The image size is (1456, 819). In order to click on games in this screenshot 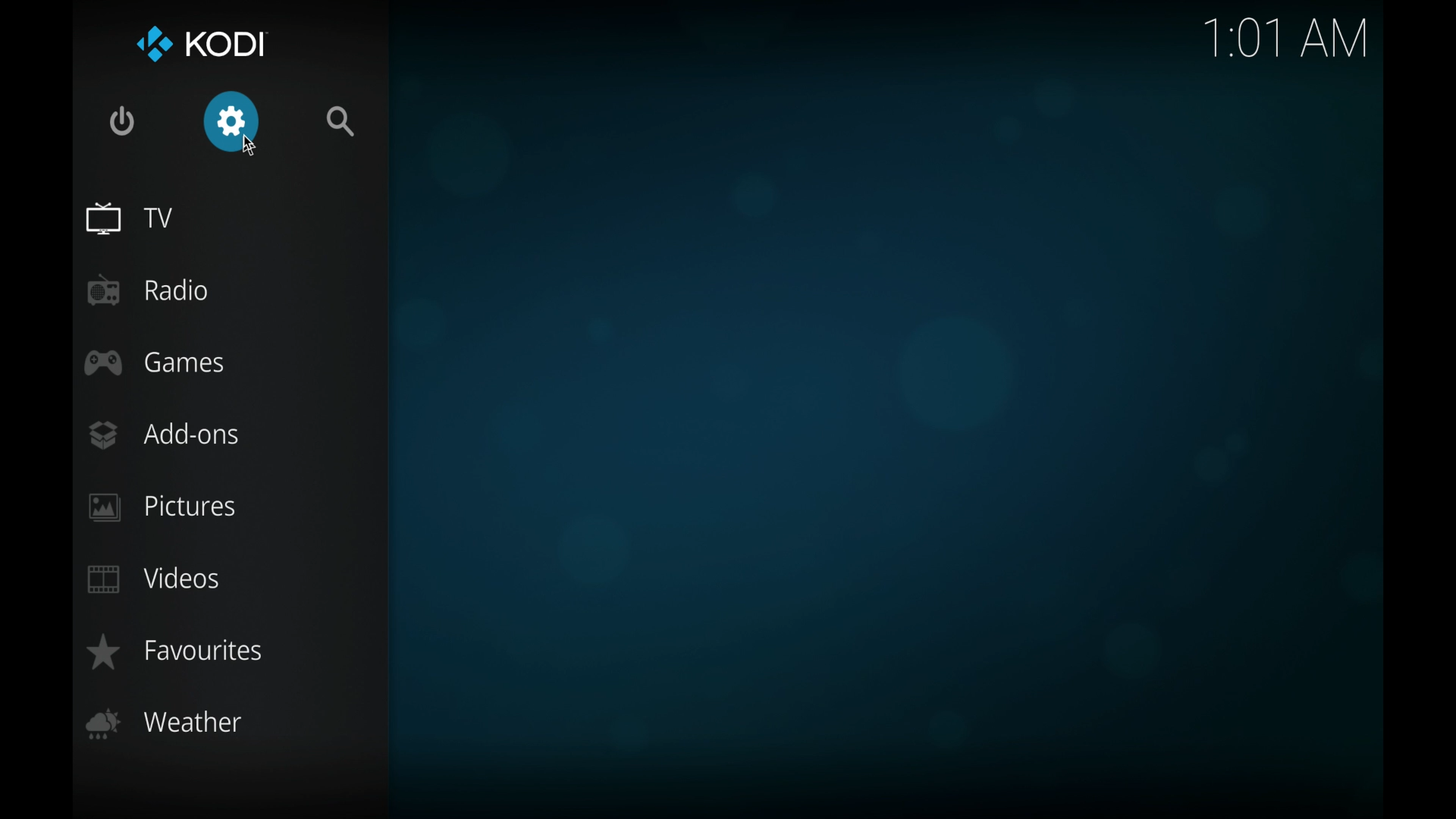, I will do `click(155, 362)`.